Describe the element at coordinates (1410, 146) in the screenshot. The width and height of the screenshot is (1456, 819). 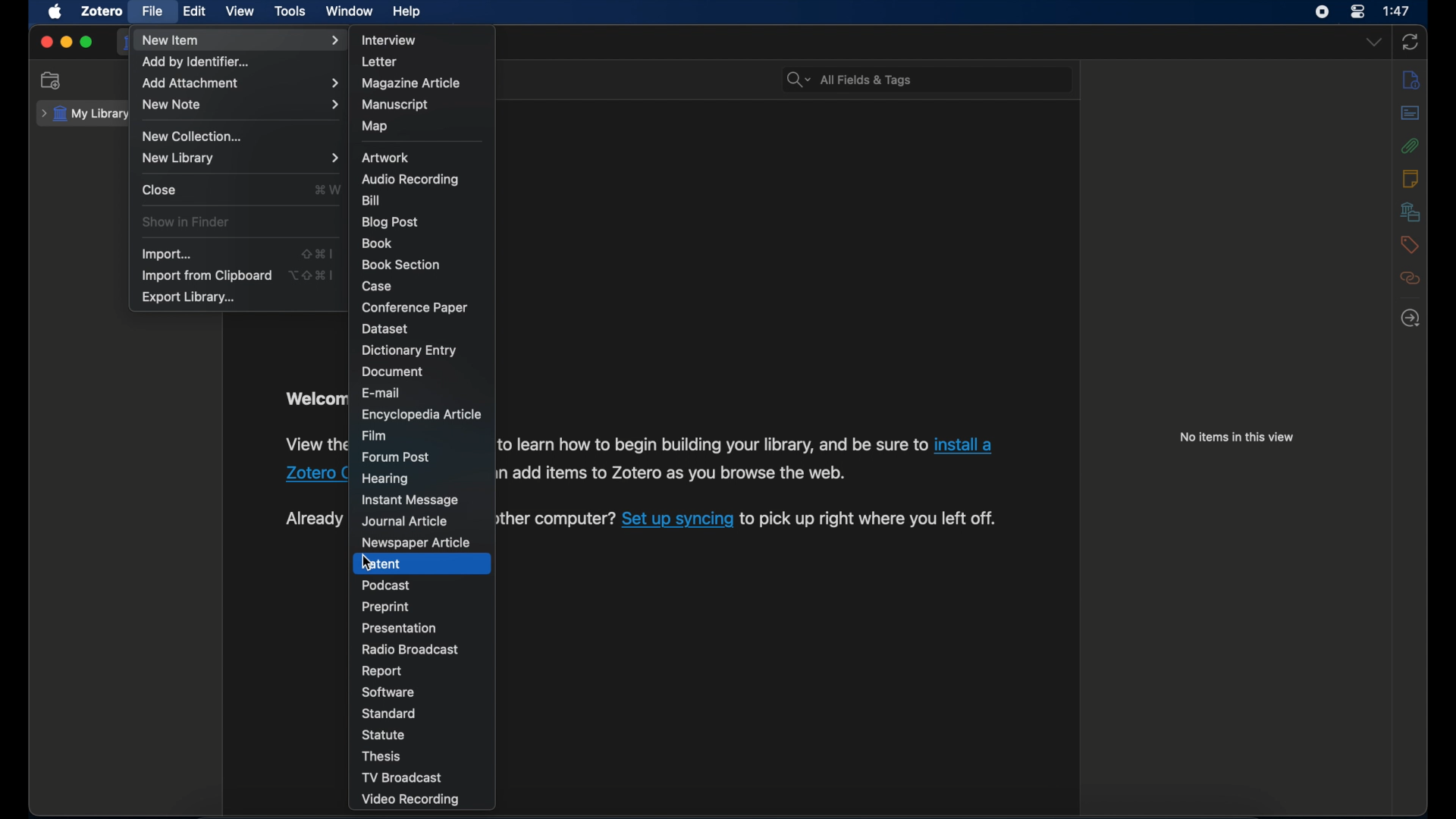
I see `attachmnents` at that location.